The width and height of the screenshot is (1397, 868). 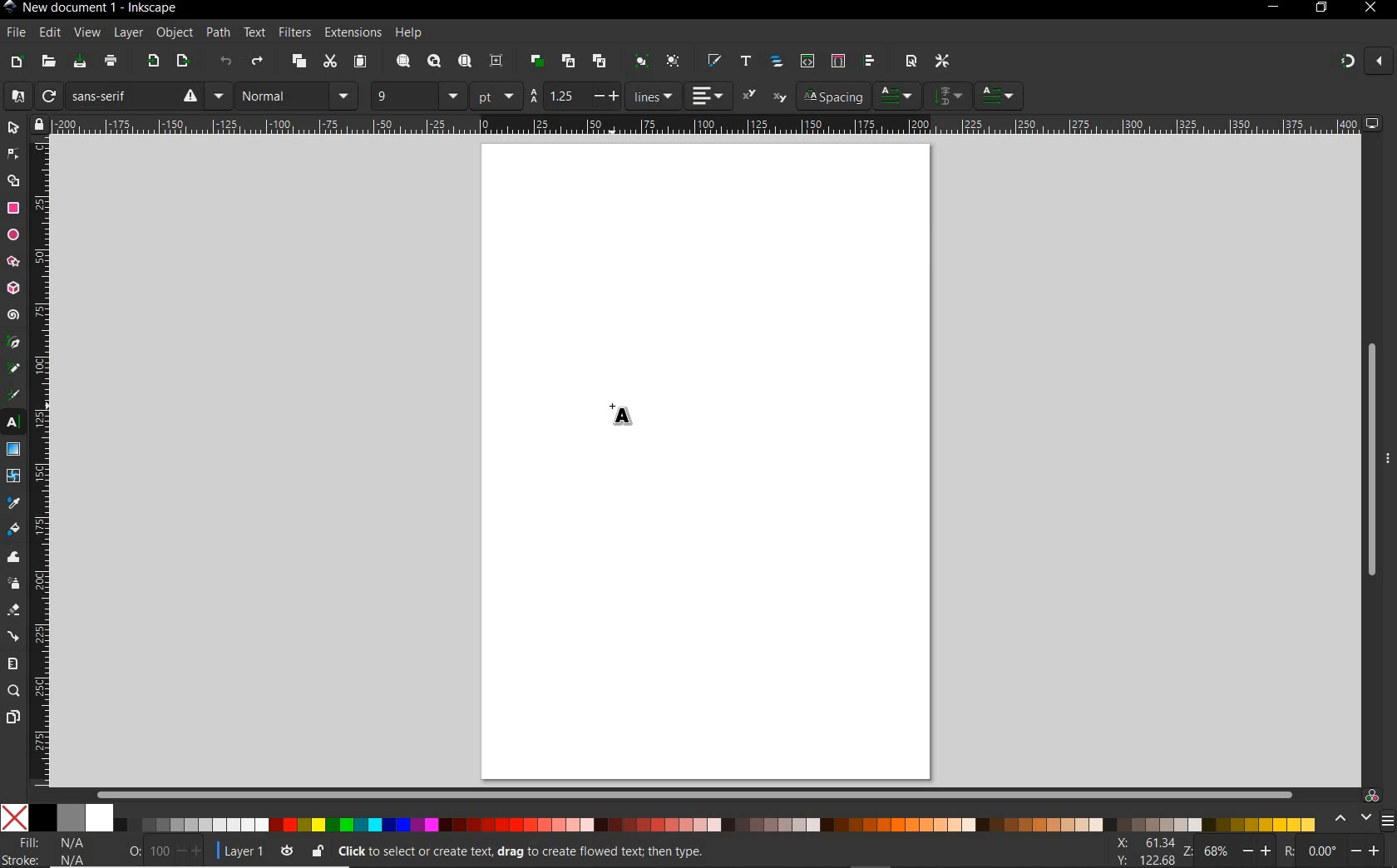 I want to click on open export, so click(x=182, y=62).